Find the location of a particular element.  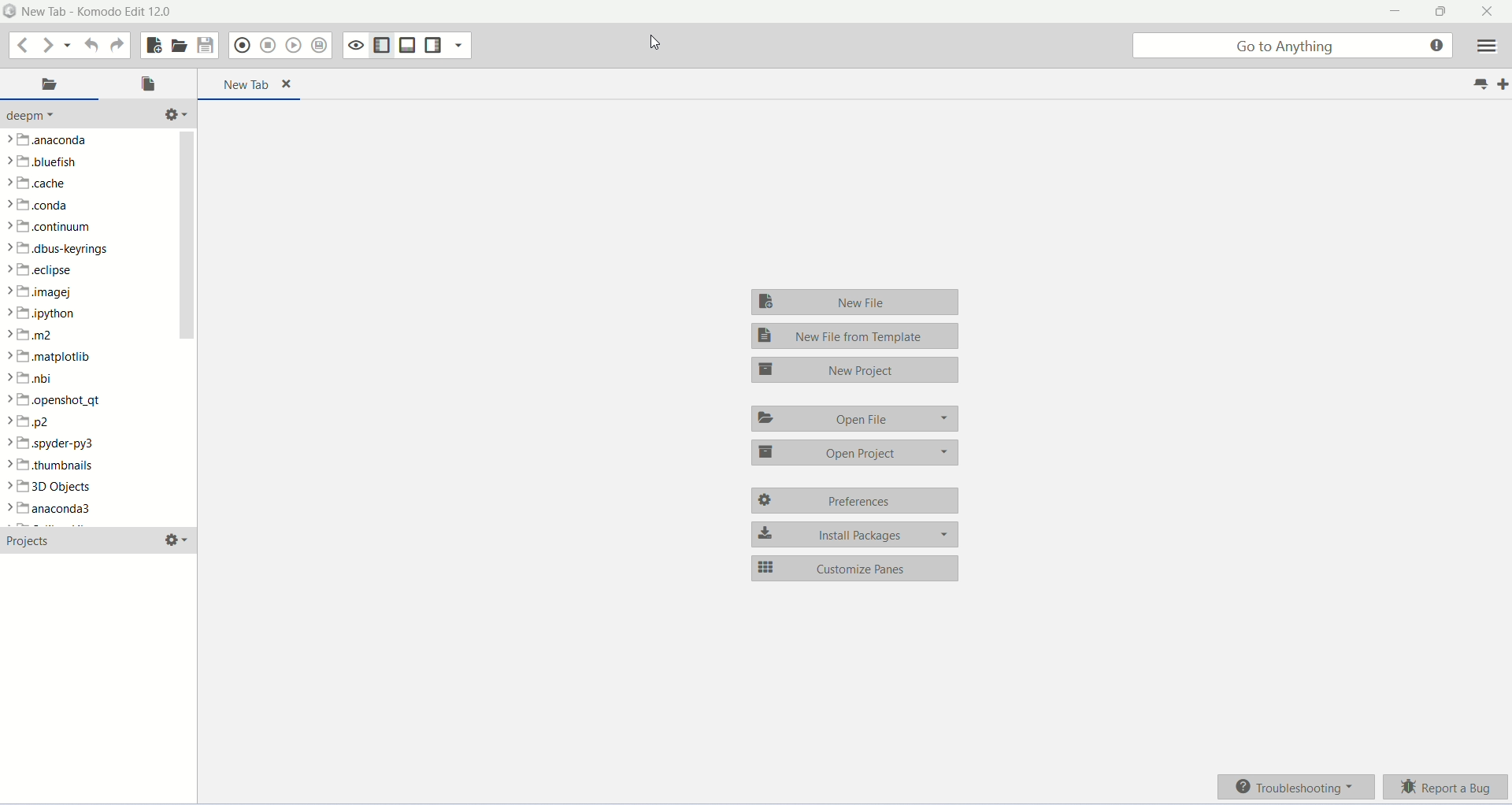

record macro is located at coordinates (242, 46).